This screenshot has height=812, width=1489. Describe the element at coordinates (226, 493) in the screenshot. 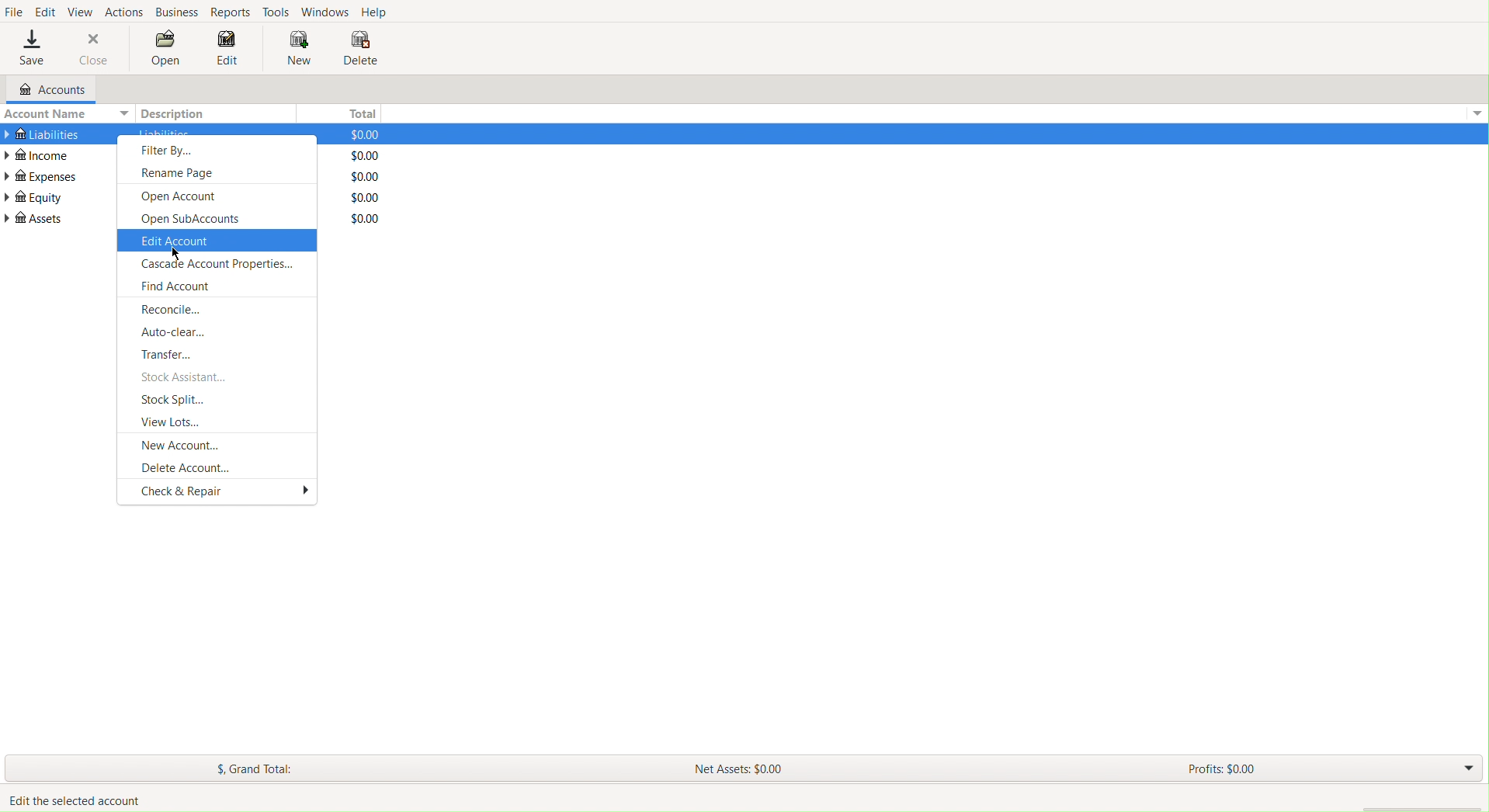

I see `Check & Repair` at that location.